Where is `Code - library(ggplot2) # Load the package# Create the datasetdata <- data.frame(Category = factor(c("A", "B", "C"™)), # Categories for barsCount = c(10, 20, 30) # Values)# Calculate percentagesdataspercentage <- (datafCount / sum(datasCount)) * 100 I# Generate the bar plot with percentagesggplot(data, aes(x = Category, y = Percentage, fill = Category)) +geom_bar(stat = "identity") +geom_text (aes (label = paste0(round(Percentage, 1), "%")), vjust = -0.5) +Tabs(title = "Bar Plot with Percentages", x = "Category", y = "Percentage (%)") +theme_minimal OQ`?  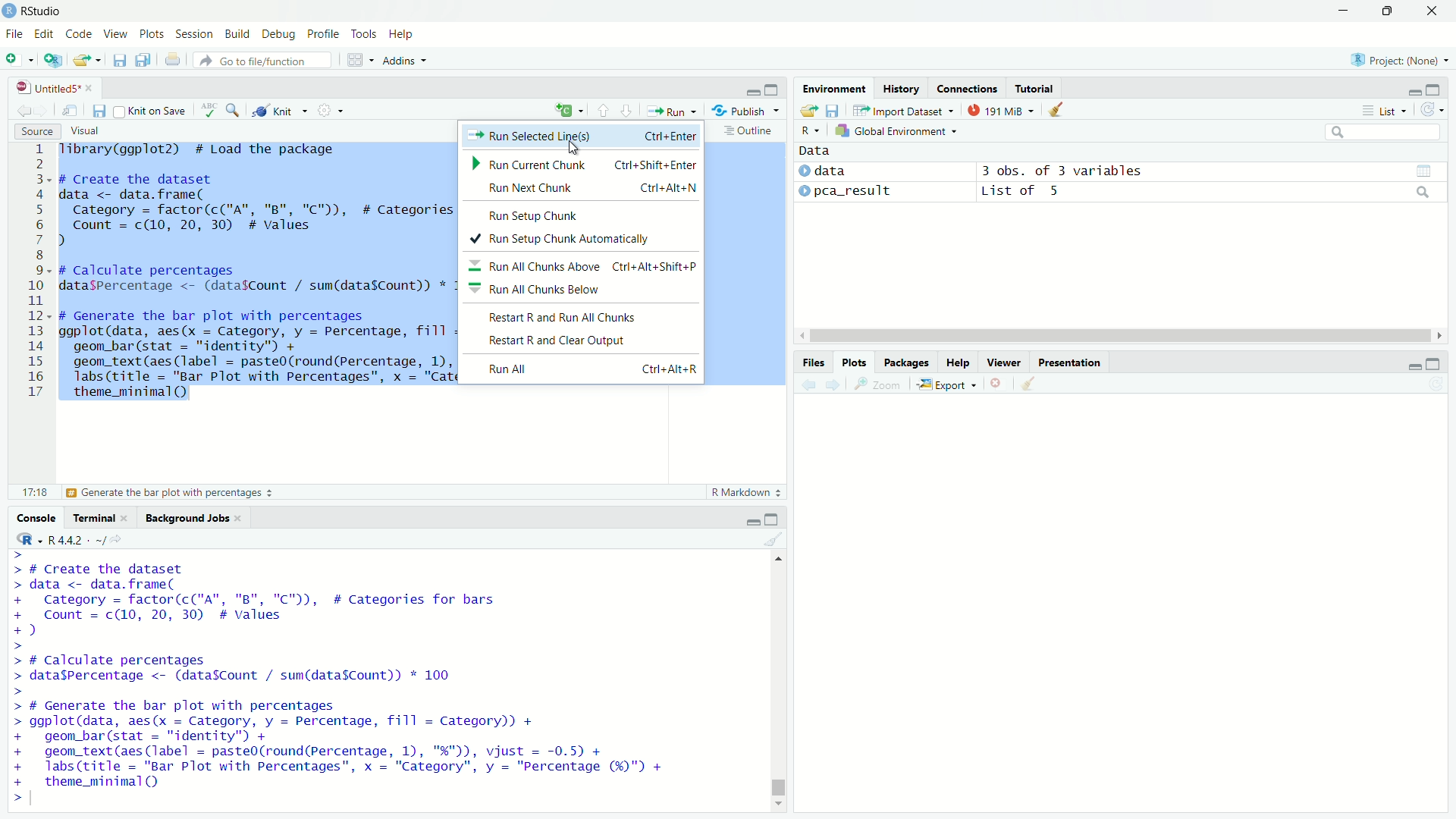
Code - library(ggplot2) # Load the package# Create the datasetdata <- data.frame(Category = factor(c("A", "B", "C"™)), # Categories for barsCount = c(10, 20, 30) # Values)# Calculate percentagesdataspercentage <- (datafCount / sum(datasCount)) * 100 I# Generate the bar plot with percentagesggplot(data, aes(x = Category, y = Percentage, fill = Category)) +geom_bar(stat = "identity") +geom_text (aes (label = paste0(round(Percentage, 1), "%")), vjust = -0.5) +Tabs(title = "Bar Plot with Percentages", x = "Category", y = "Percentage (%)") +theme_minimal OQ is located at coordinates (252, 274).